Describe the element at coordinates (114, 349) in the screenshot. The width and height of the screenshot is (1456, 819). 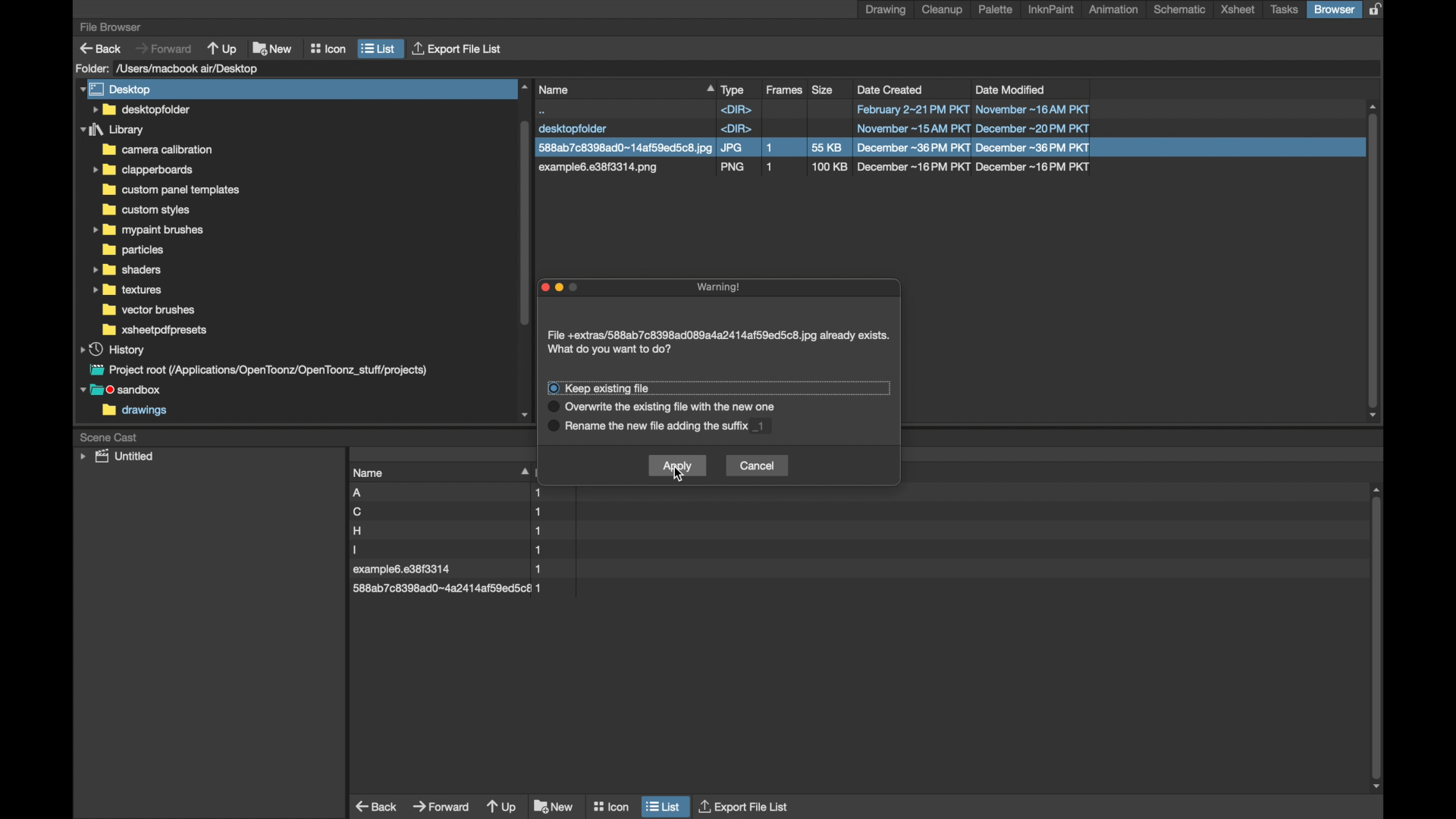
I see `history` at that location.